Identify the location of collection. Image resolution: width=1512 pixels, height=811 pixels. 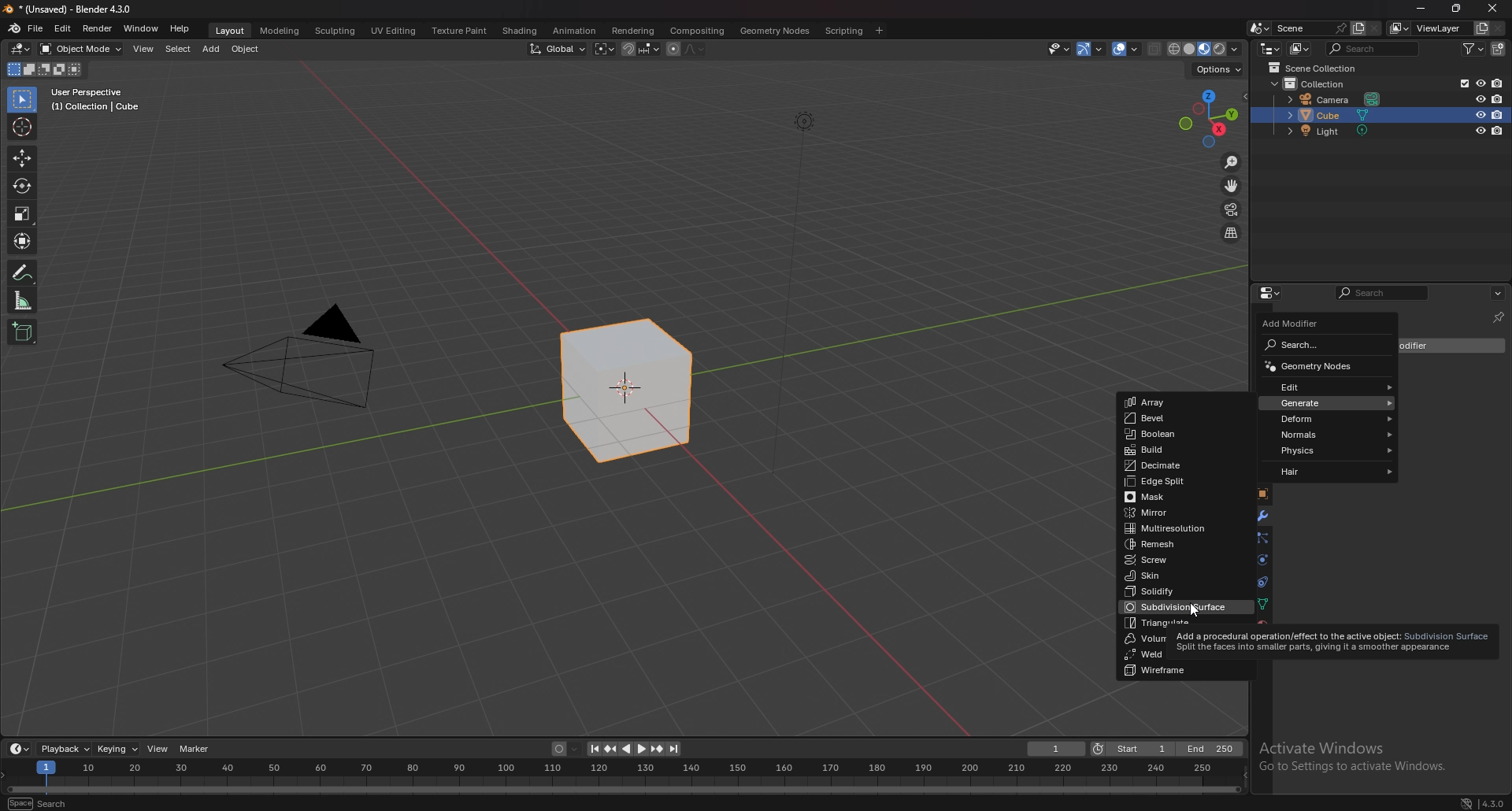
(1325, 85).